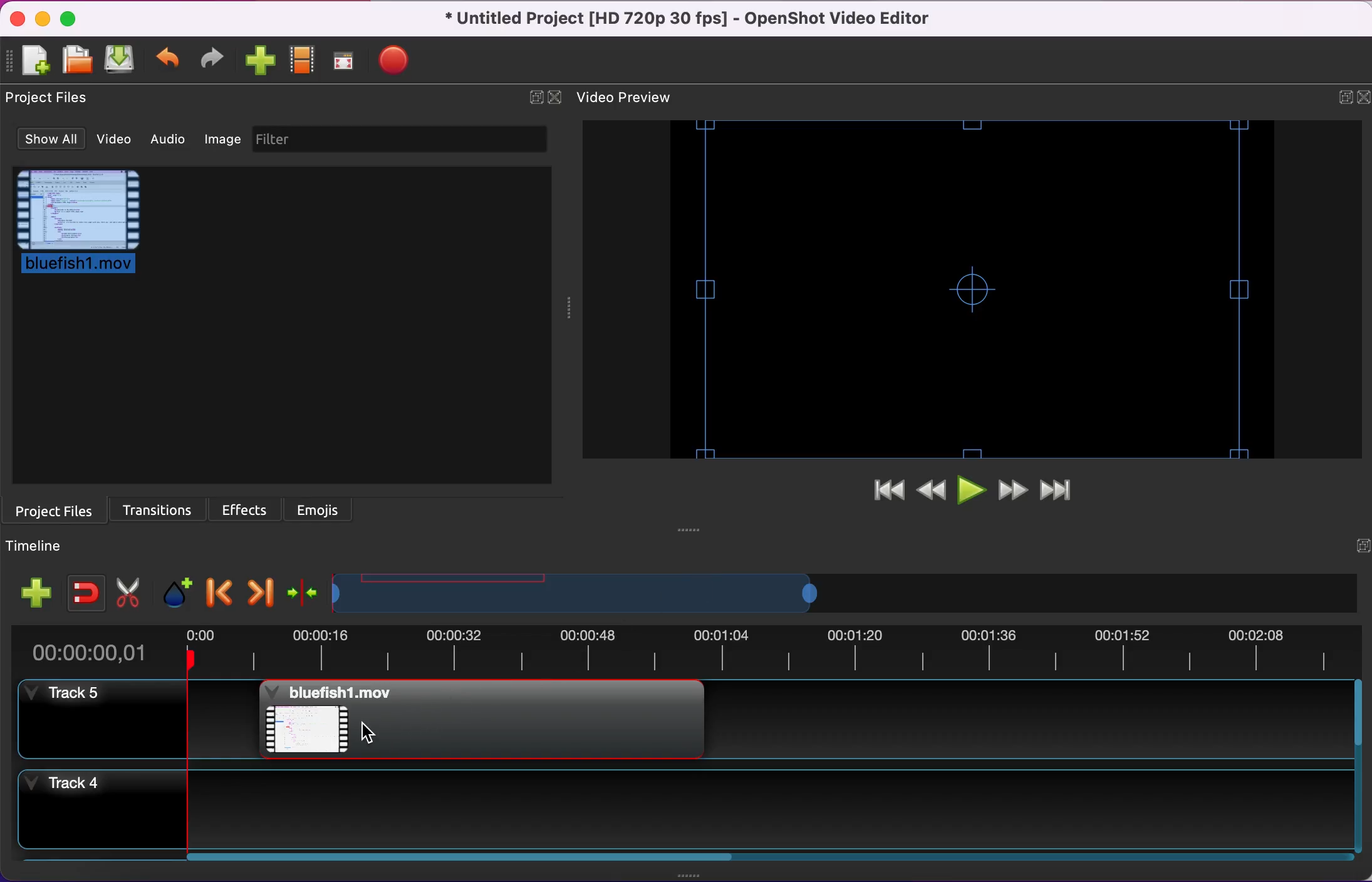  Describe the element at coordinates (42, 19) in the screenshot. I see `minimize` at that location.